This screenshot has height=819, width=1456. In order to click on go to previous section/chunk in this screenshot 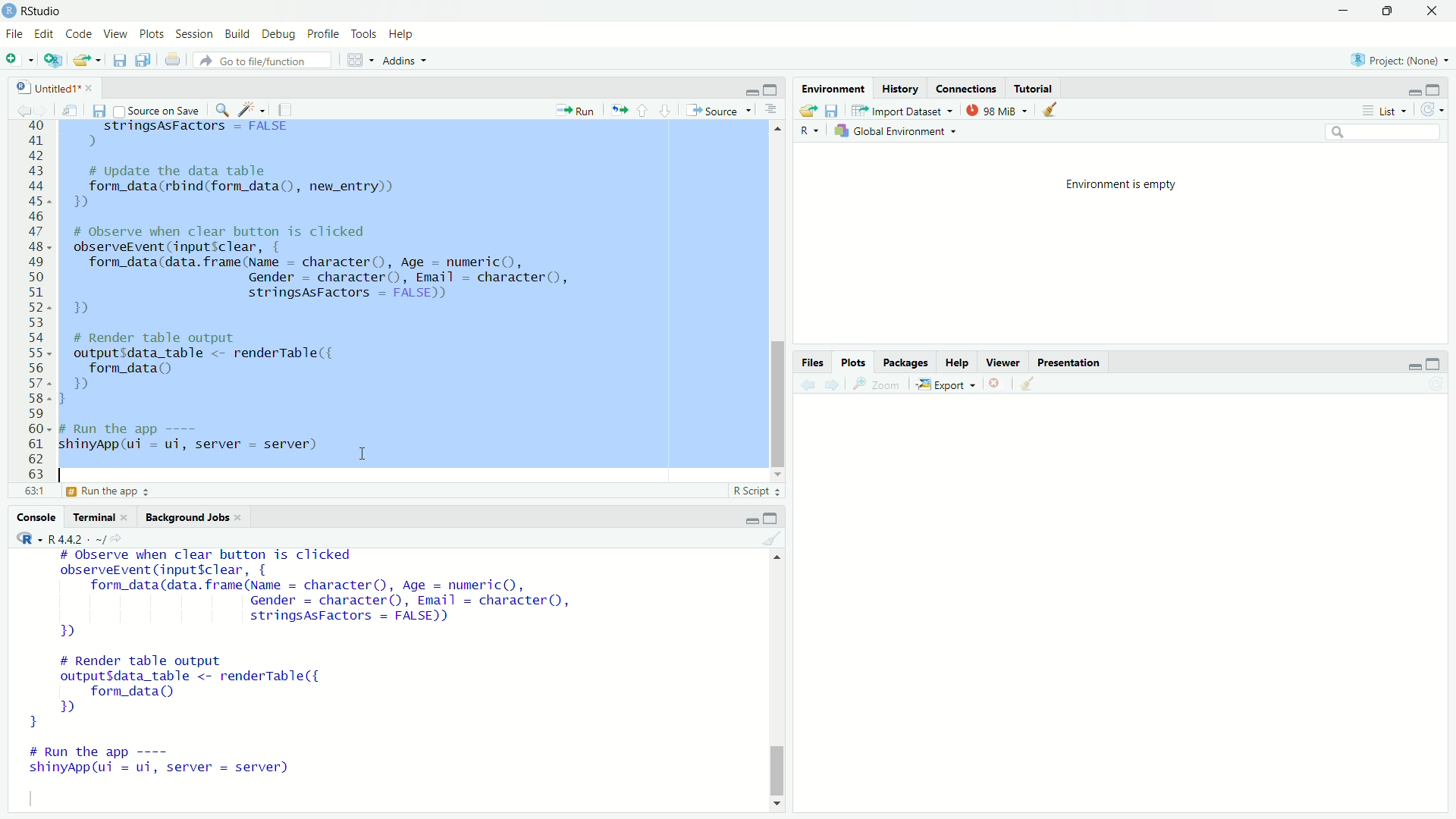, I will do `click(644, 110)`.